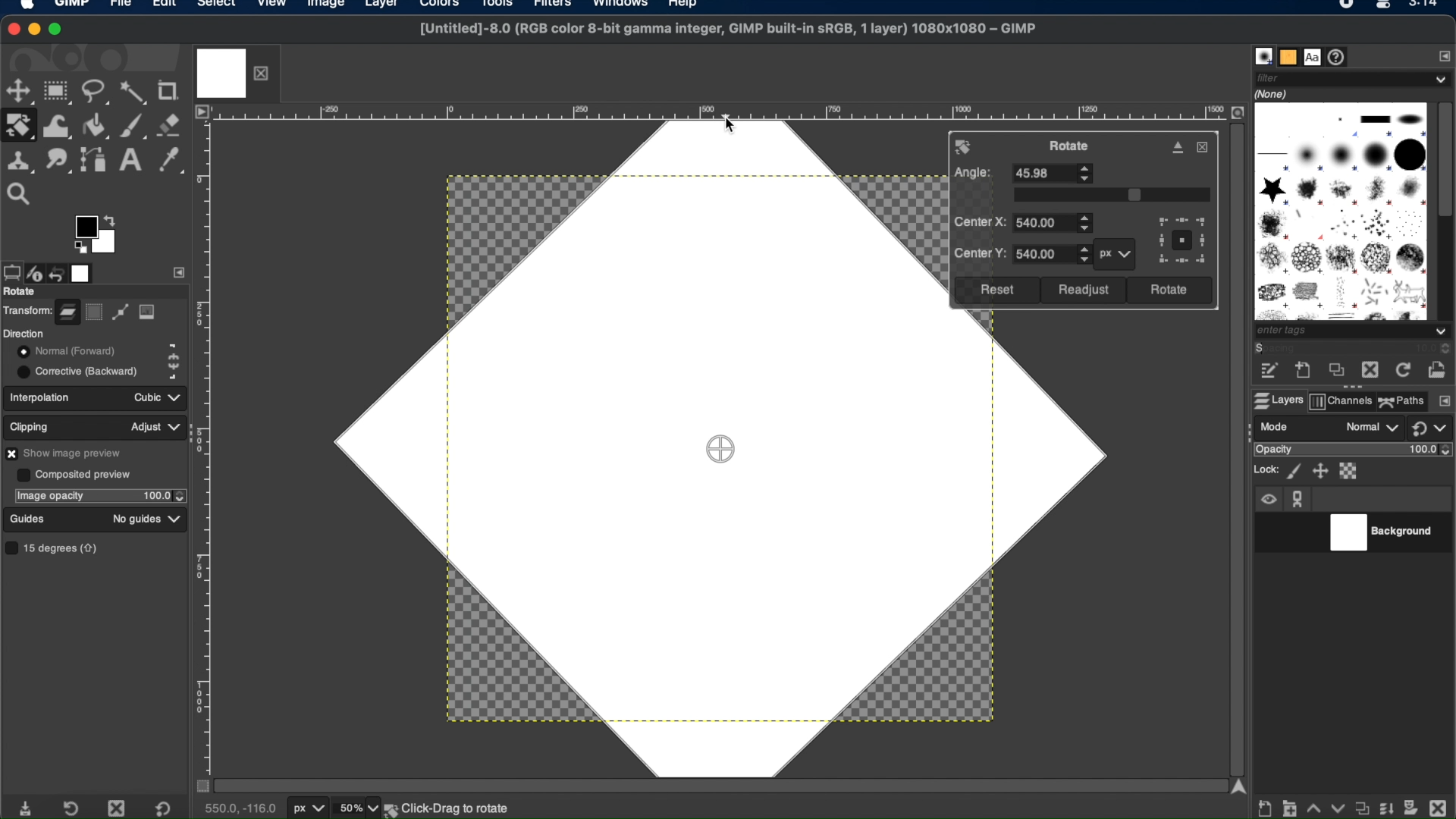  Describe the element at coordinates (174, 349) in the screenshot. I see `normal forward` at that location.